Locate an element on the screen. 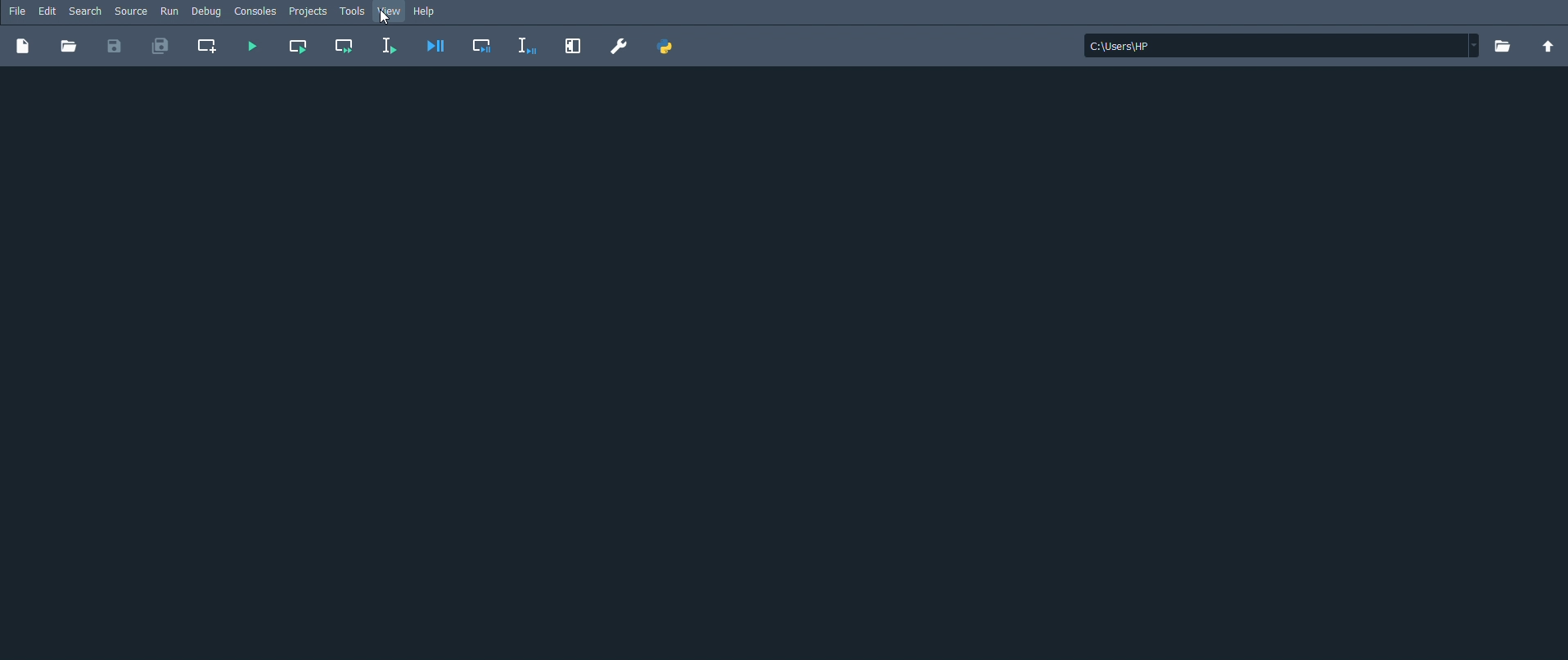 The width and height of the screenshot is (1568, 660). Create new cell at the current line is located at coordinates (210, 47).